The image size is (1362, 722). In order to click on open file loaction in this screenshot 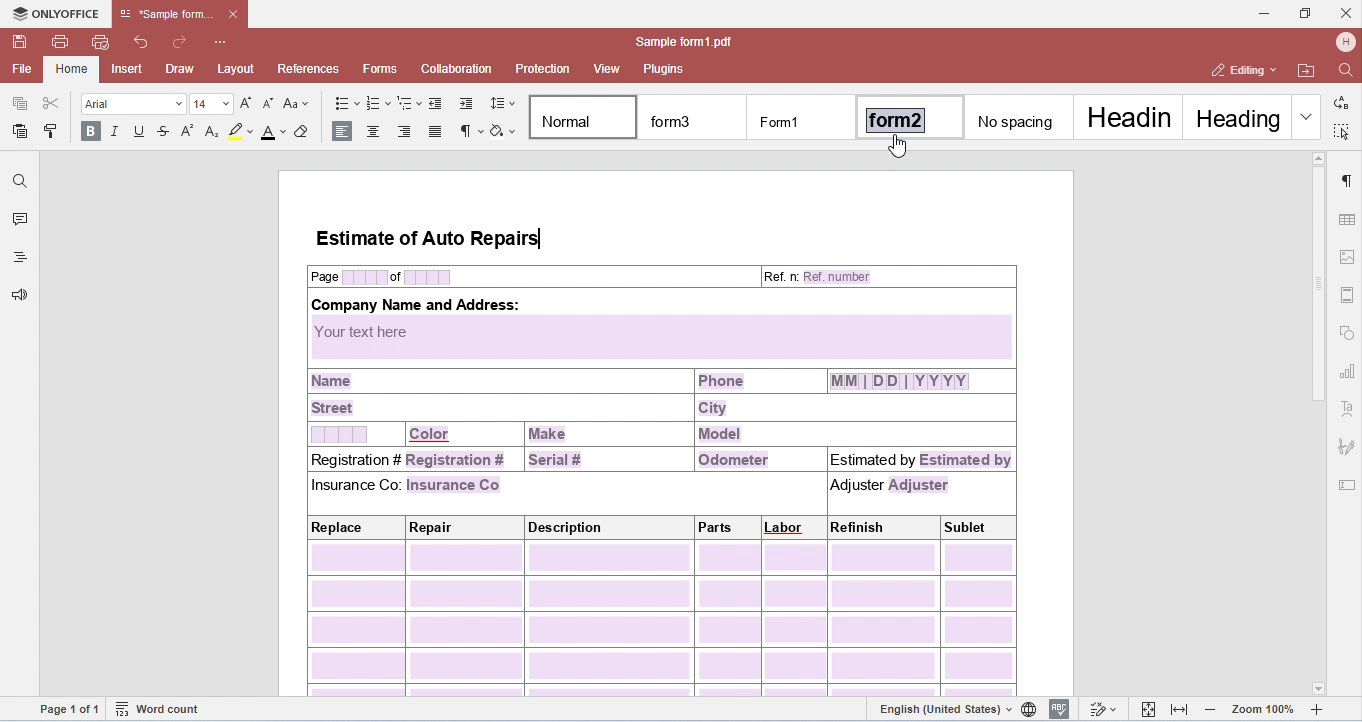, I will do `click(1306, 71)`.